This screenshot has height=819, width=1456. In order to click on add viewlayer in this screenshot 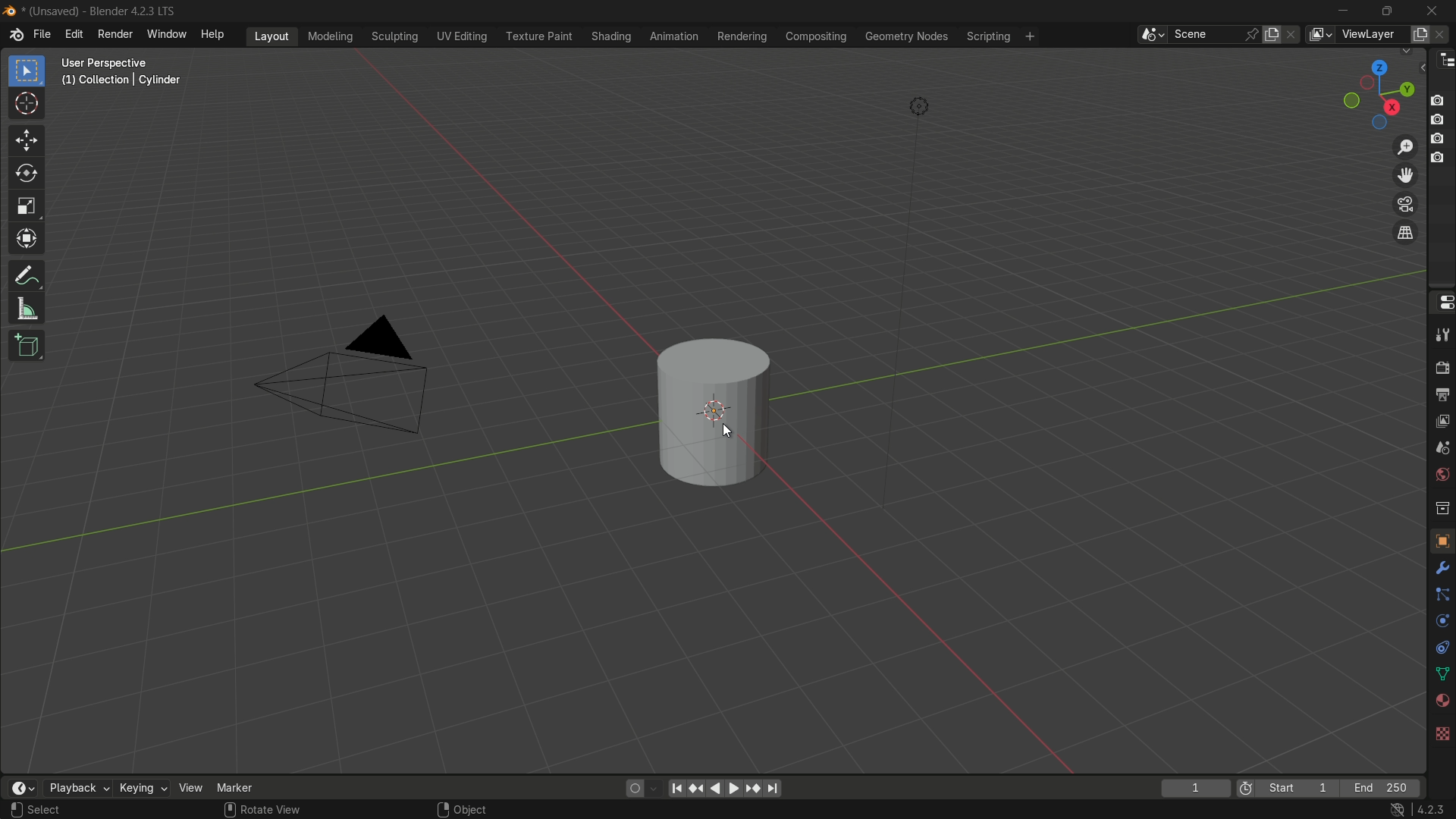, I will do `click(1420, 35)`.